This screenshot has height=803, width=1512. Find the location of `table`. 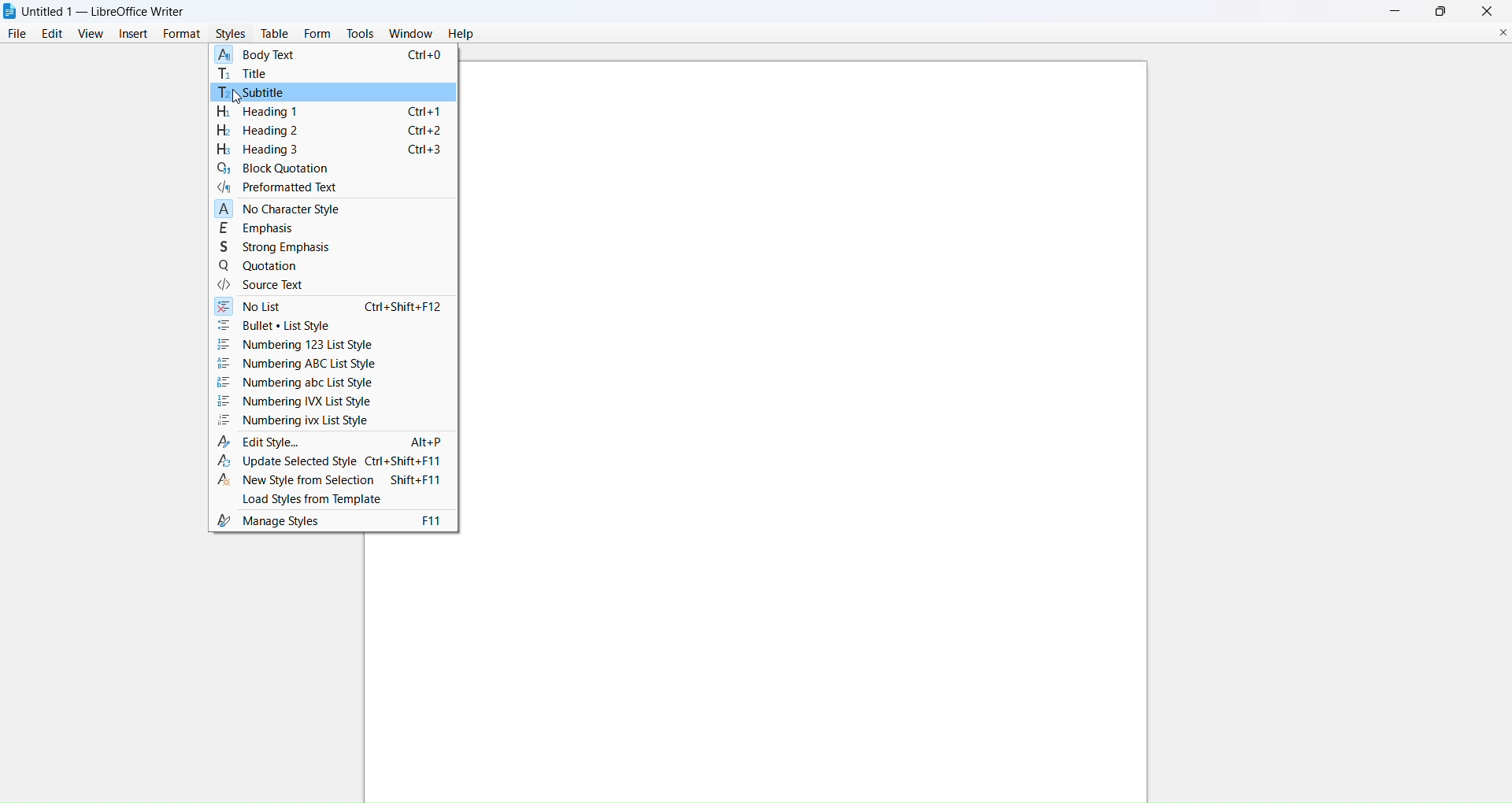

table is located at coordinates (276, 33).